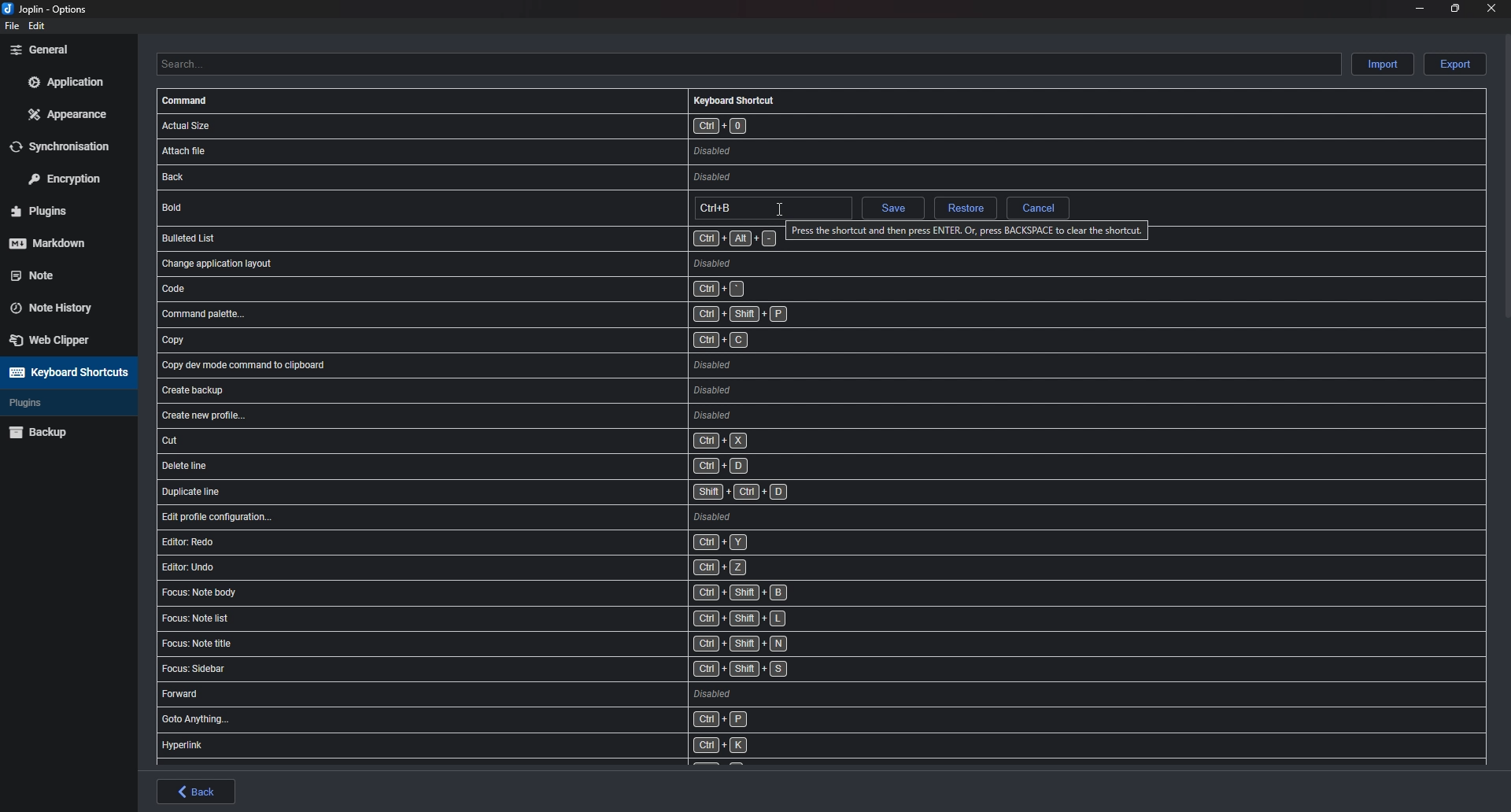  I want to click on General, so click(65, 49).